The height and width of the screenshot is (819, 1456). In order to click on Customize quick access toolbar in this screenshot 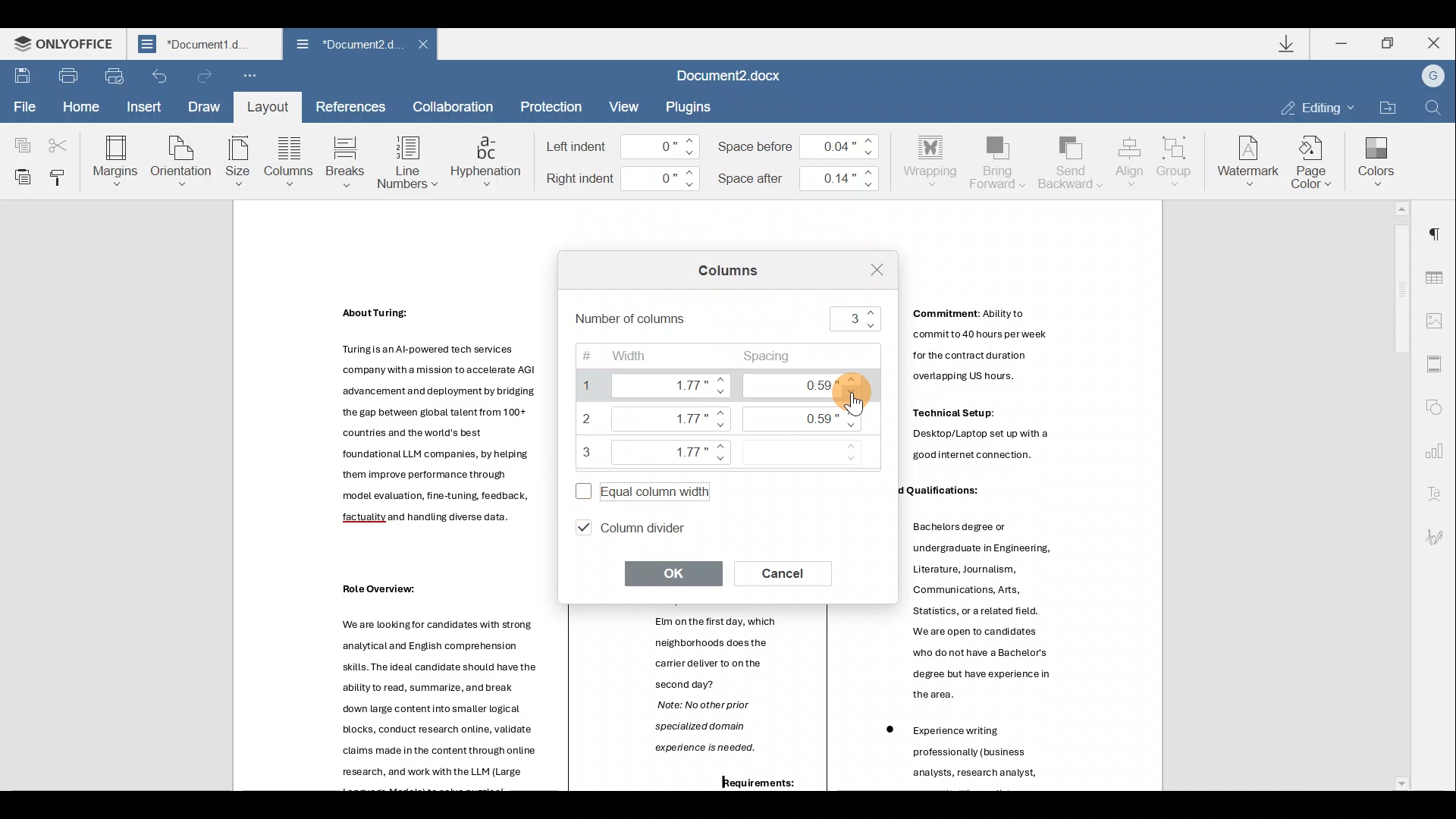, I will do `click(250, 77)`.